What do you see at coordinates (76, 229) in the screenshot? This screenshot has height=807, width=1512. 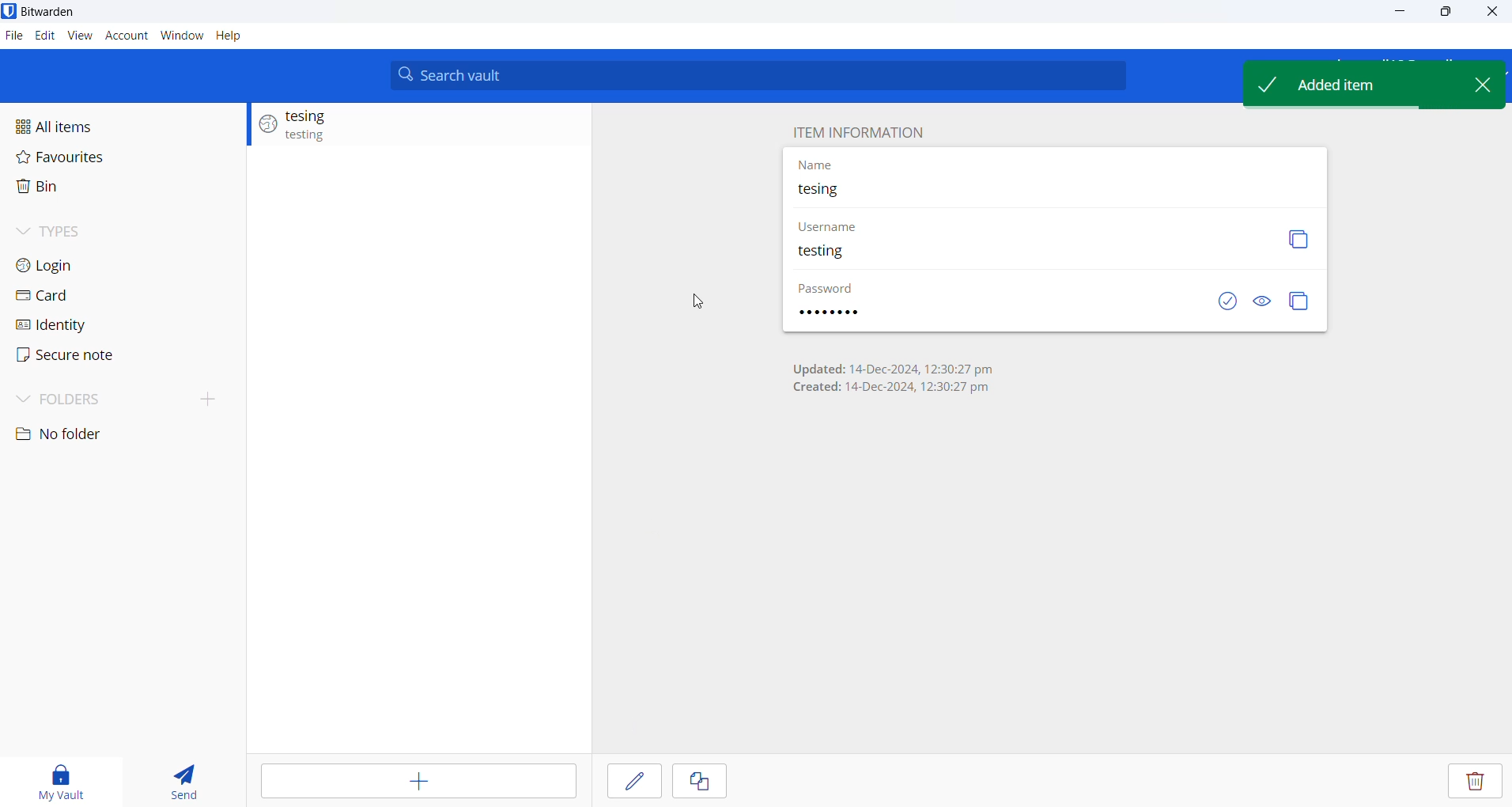 I see `Types` at bounding box center [76, 229].